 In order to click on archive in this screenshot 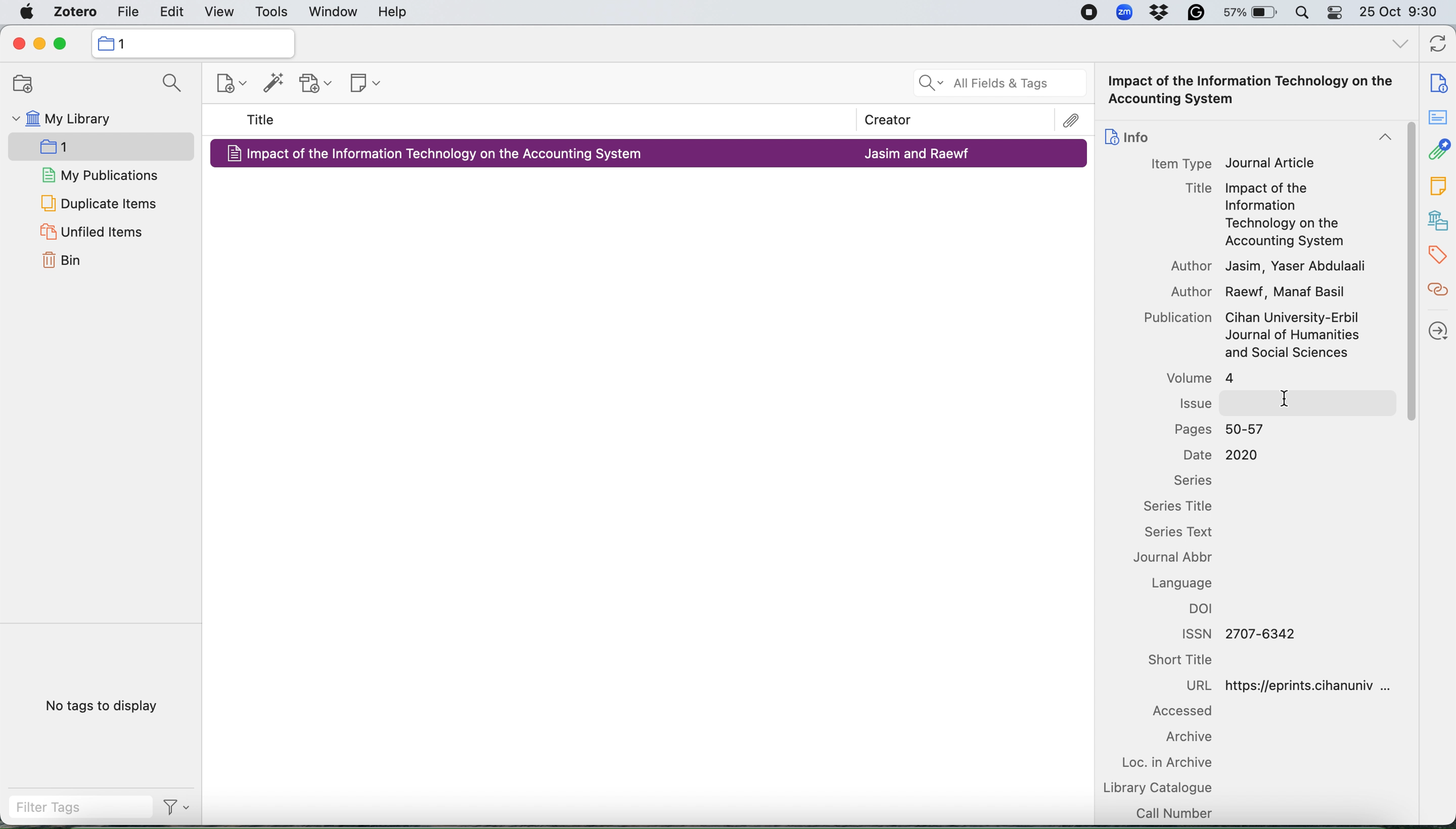, I will do `click(1183, 738)`.